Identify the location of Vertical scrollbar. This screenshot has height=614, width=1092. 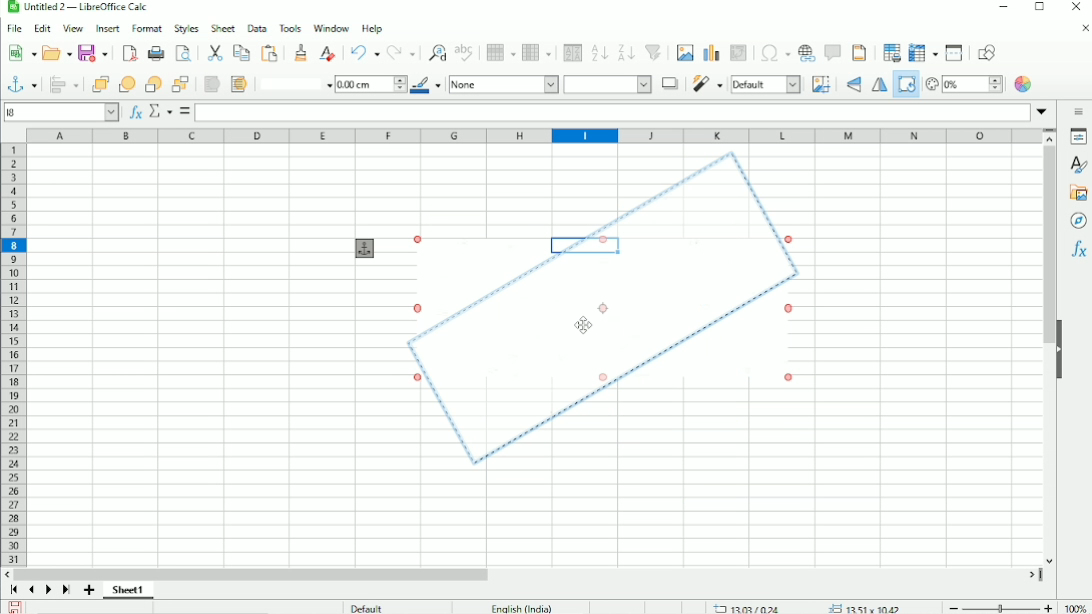
(1050, 237).